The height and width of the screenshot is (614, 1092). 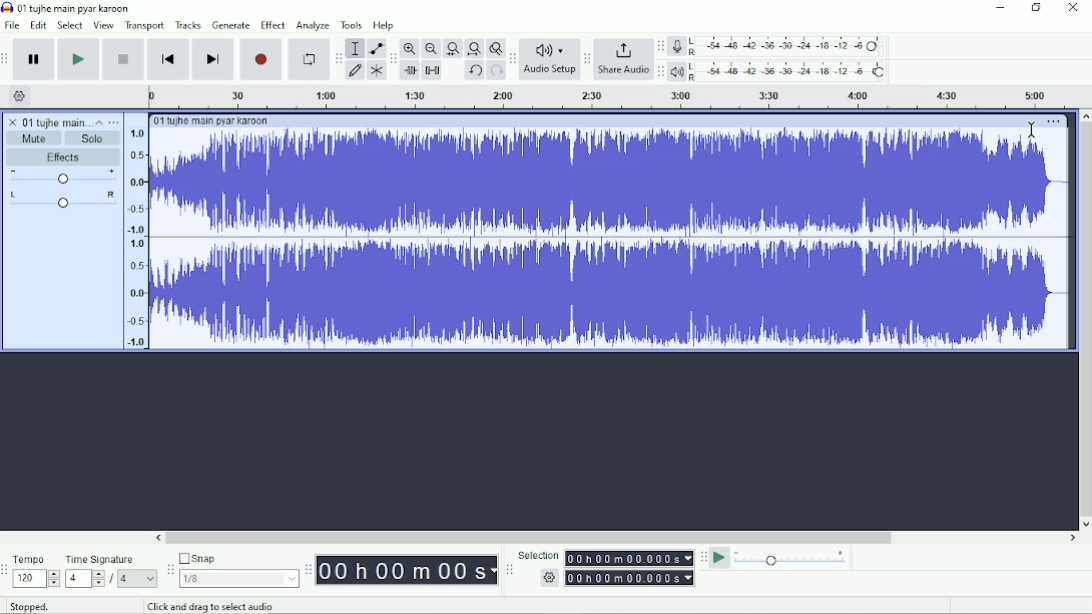 I want to click on 01 tujhe main pyar karoon, so click(x=56, y=121).